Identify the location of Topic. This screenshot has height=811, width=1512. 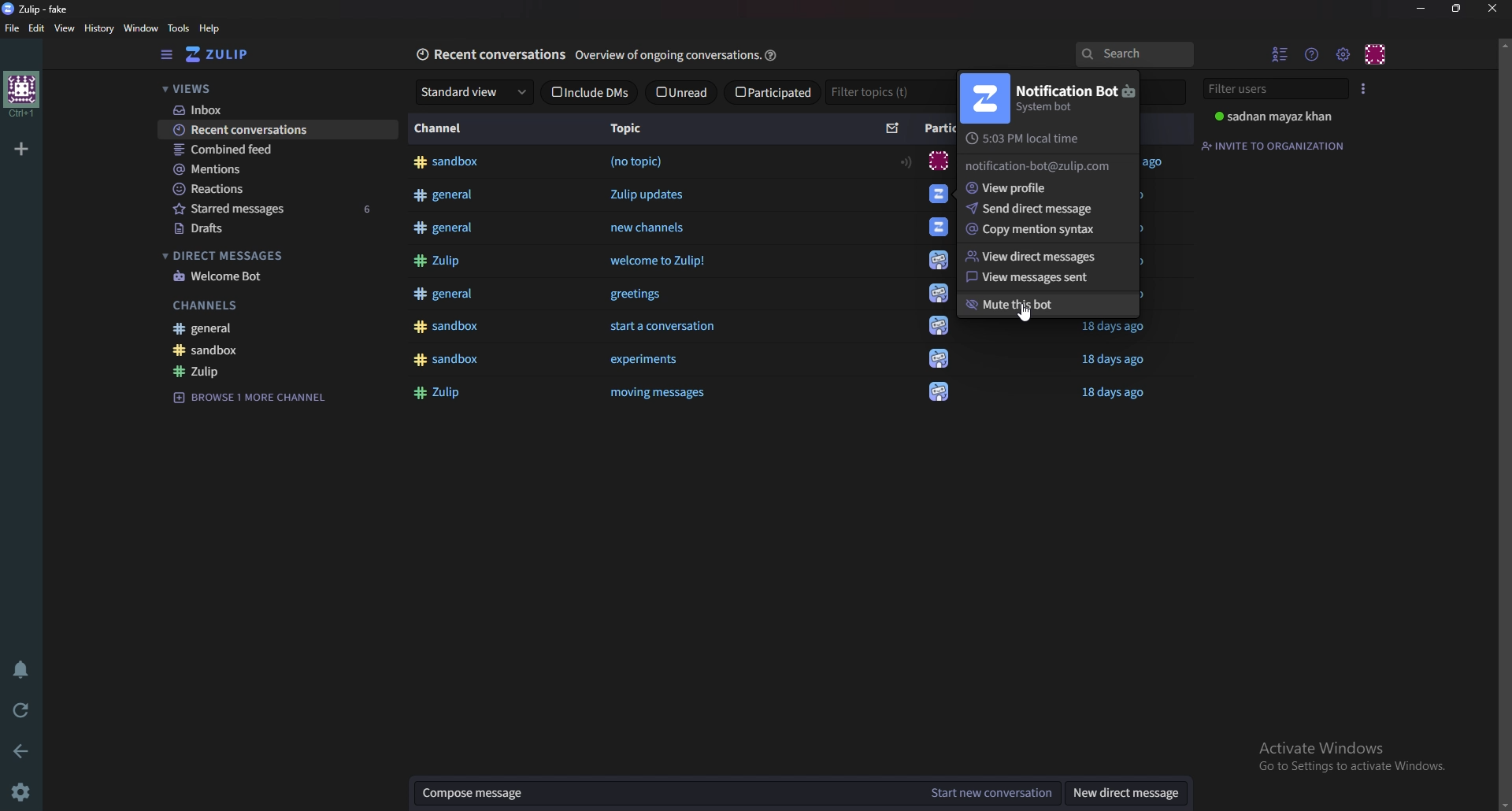
(629, 127).